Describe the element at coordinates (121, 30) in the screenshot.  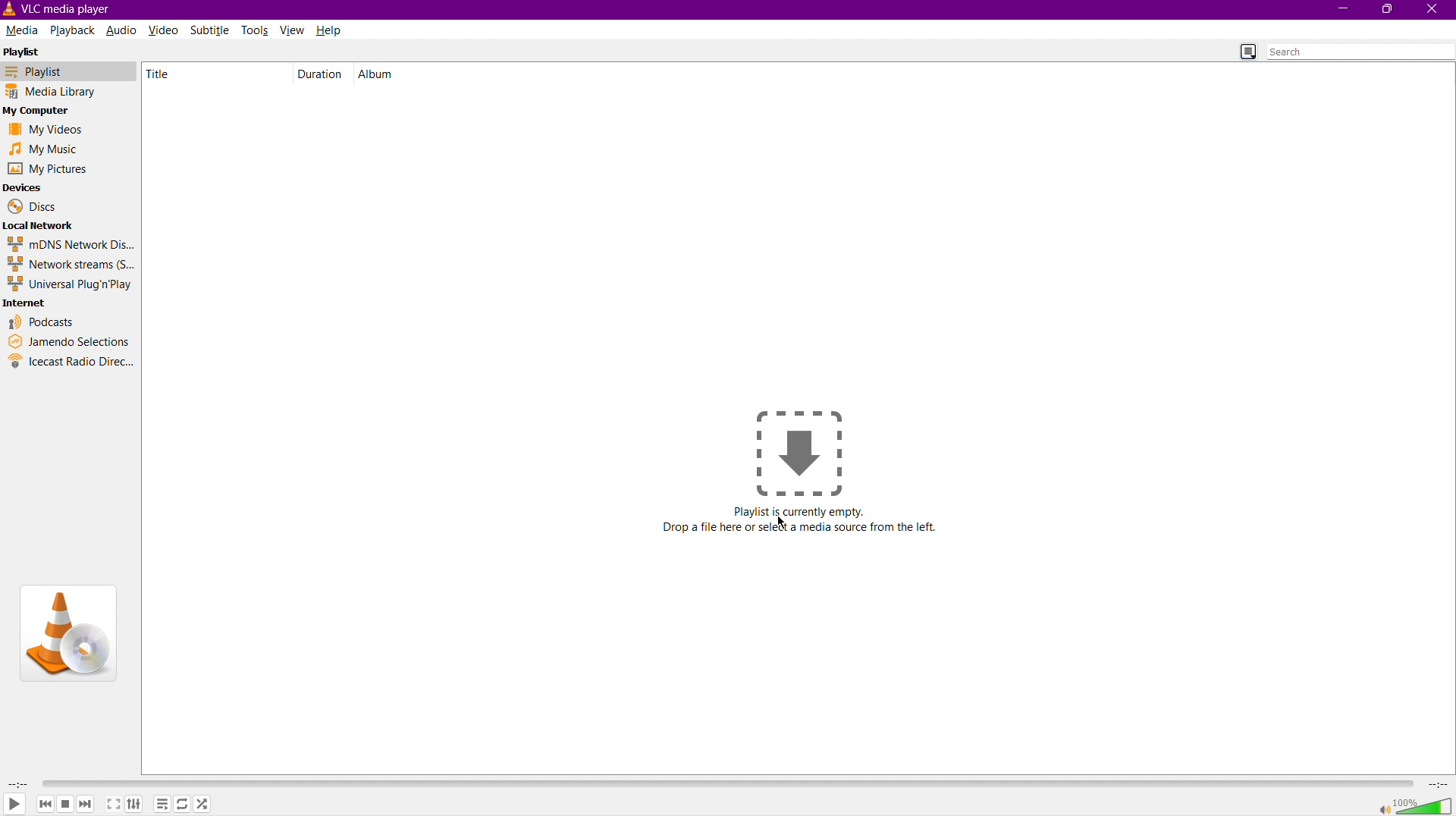
I see `Audio` at that location.